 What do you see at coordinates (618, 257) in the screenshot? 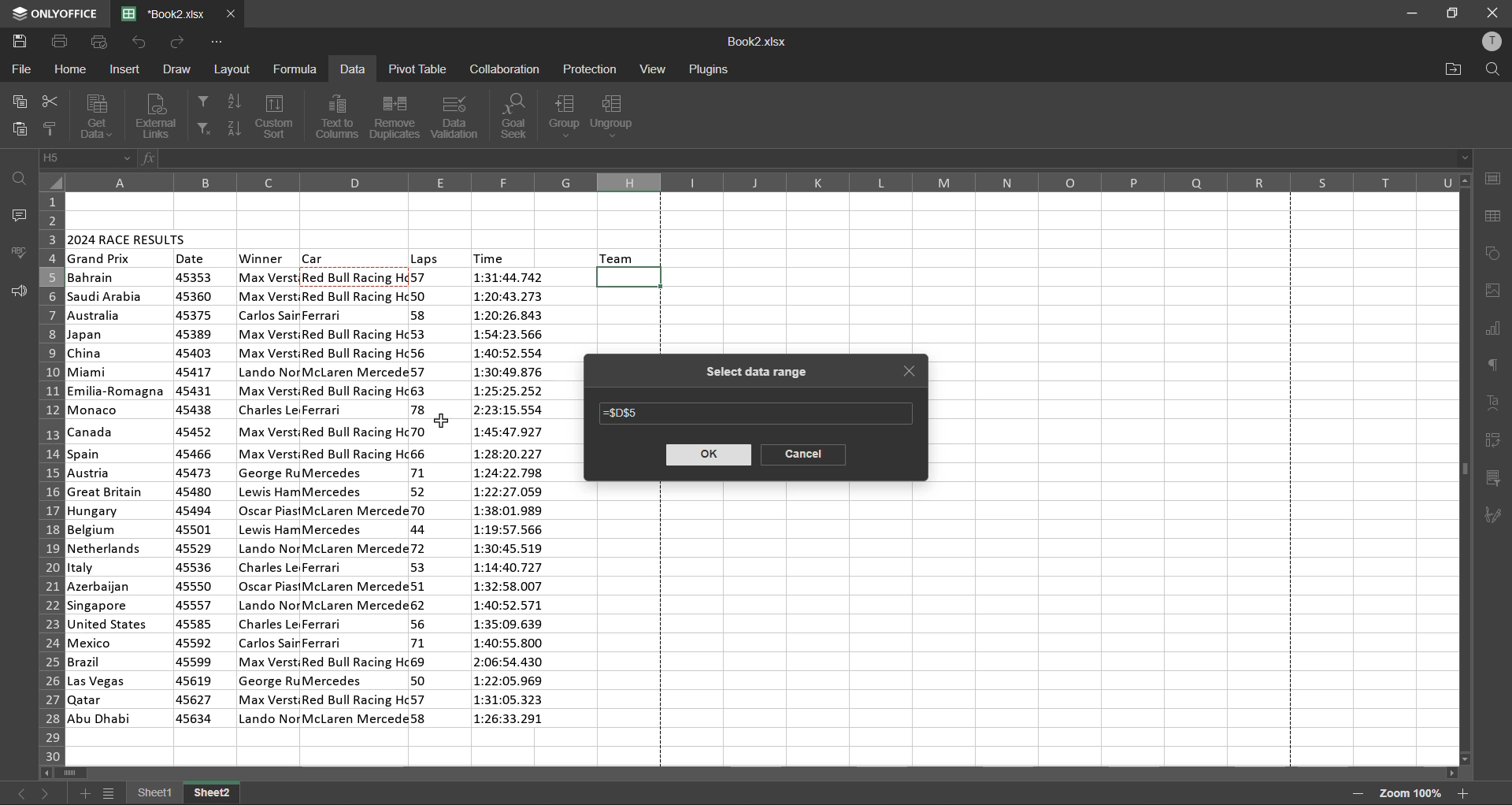
I see `team` at bounding box center [618, 257].